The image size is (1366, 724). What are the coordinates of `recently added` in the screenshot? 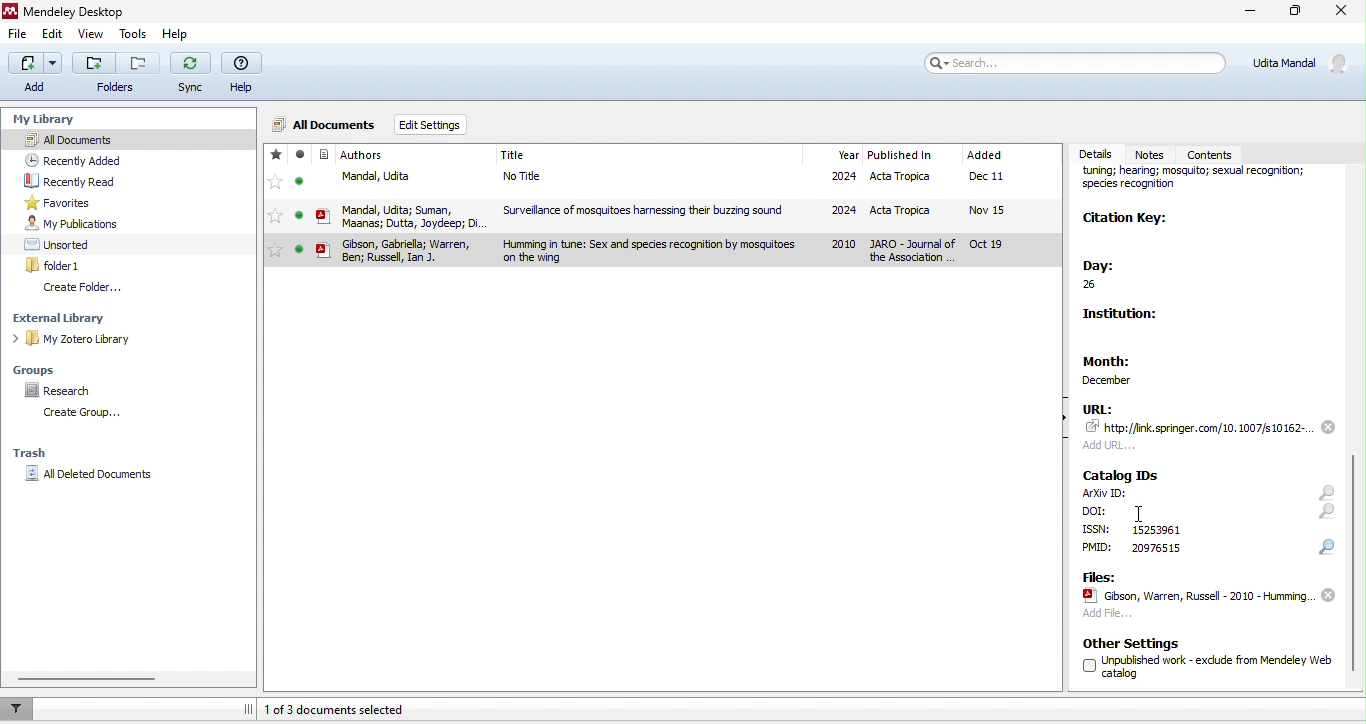 It's located at (72, 159).